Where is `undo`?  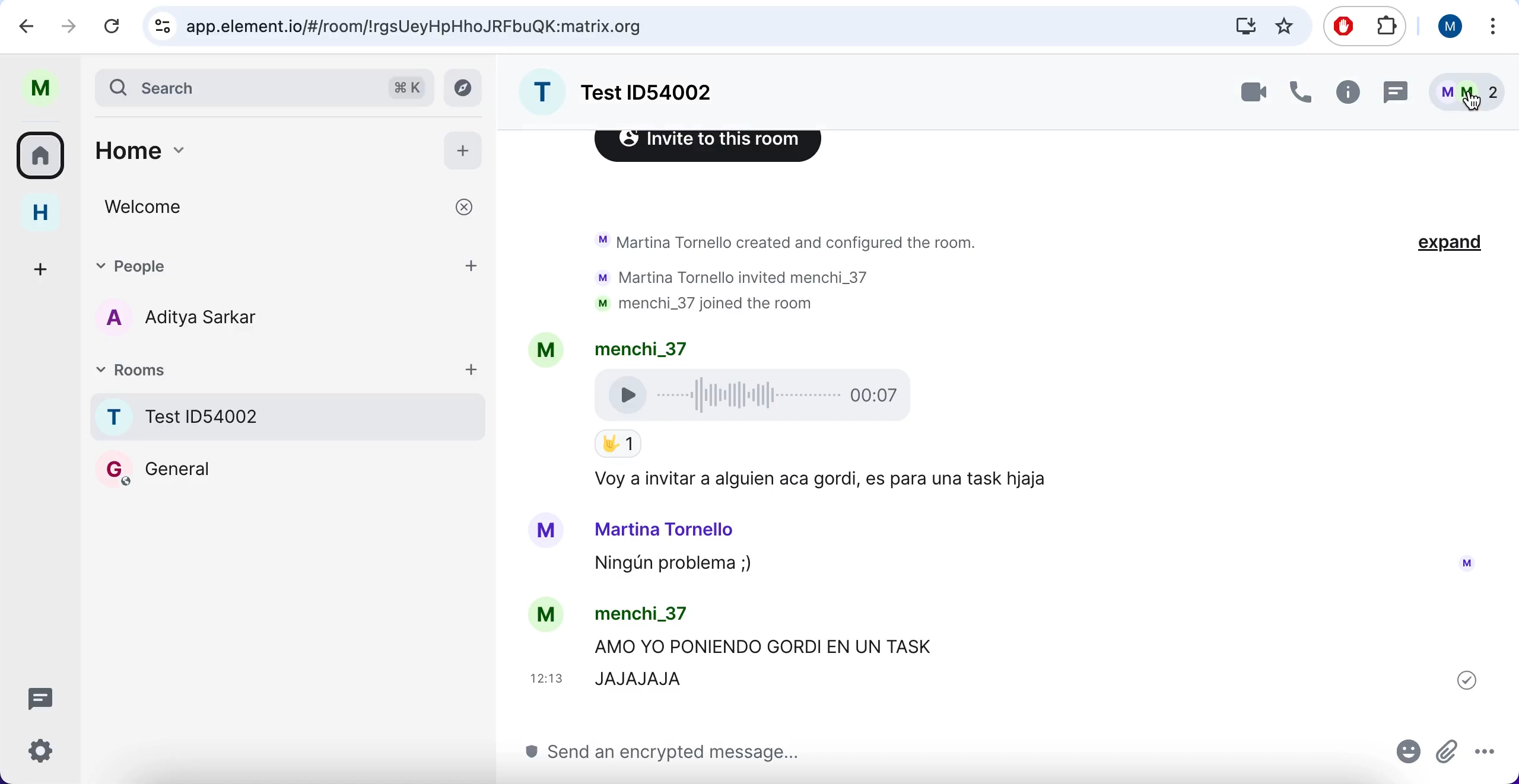 undo is located at coordinates (31, 28).